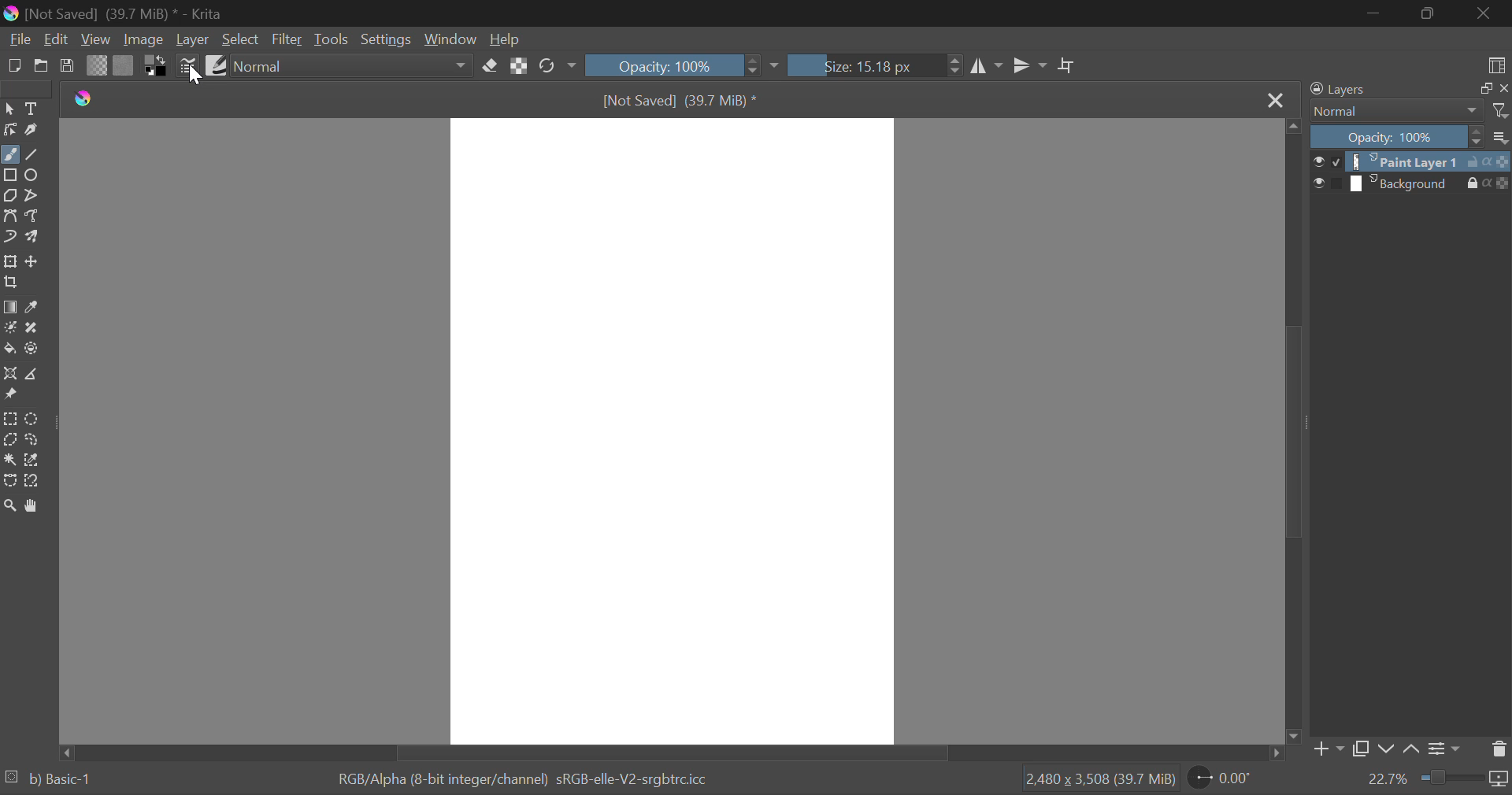 The image size is (1512, 795). I want to click on Polygon, so click(11, 196).